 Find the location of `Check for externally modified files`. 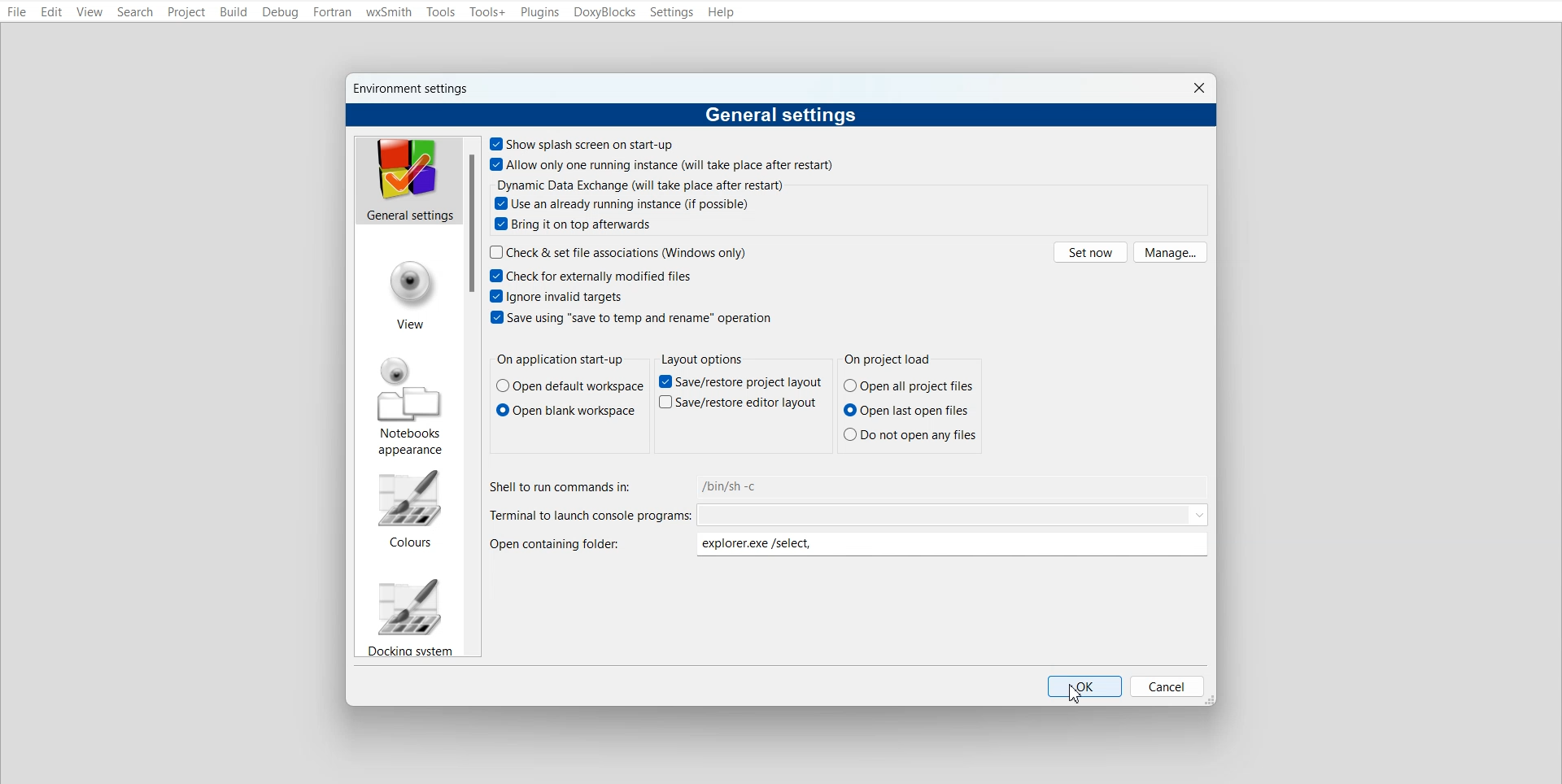

Check for externally modified files is located at coordinates (590, 275).